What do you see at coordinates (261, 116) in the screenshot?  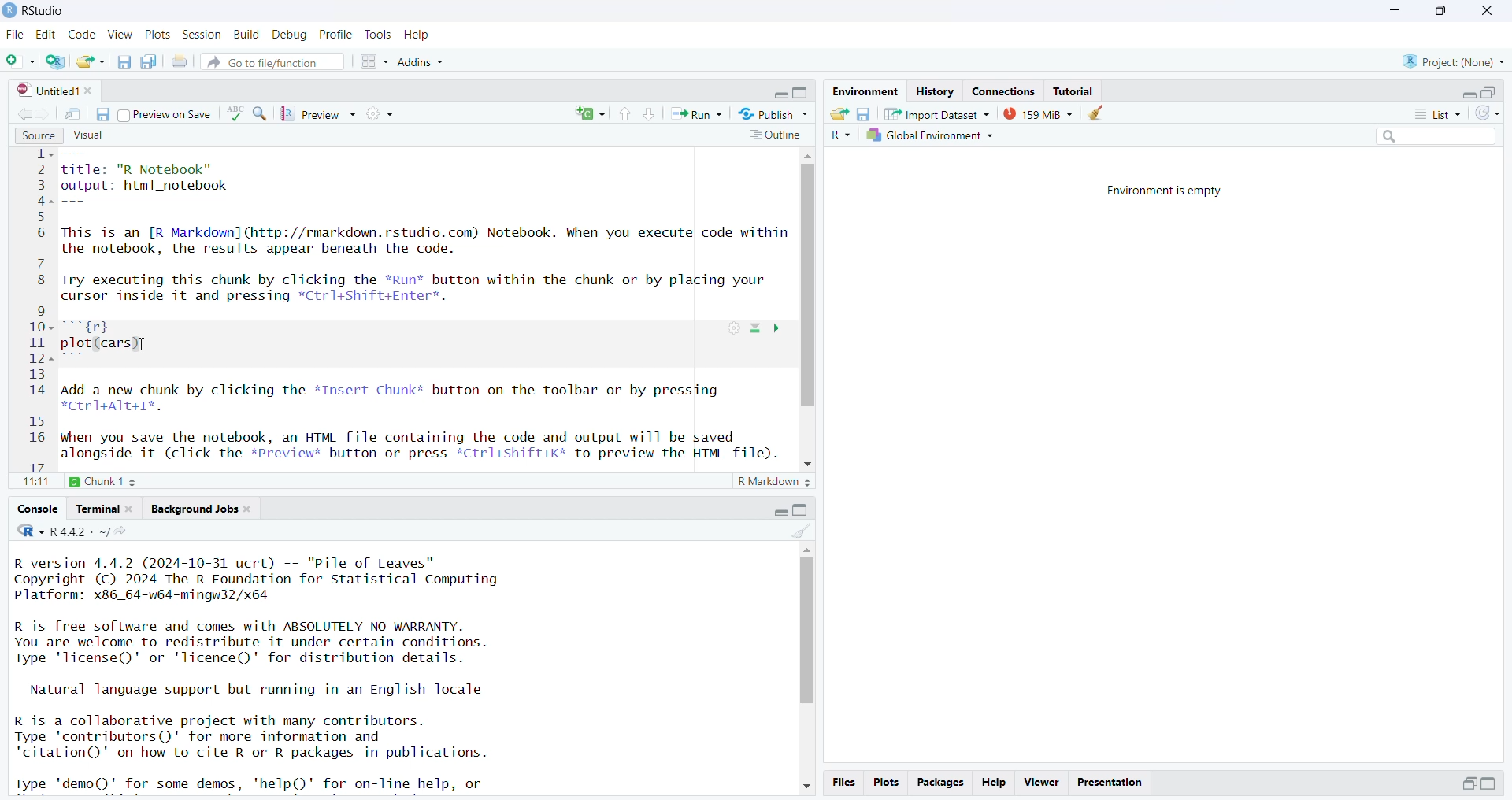 I see `find/replace` at bounding box center [261, 116].